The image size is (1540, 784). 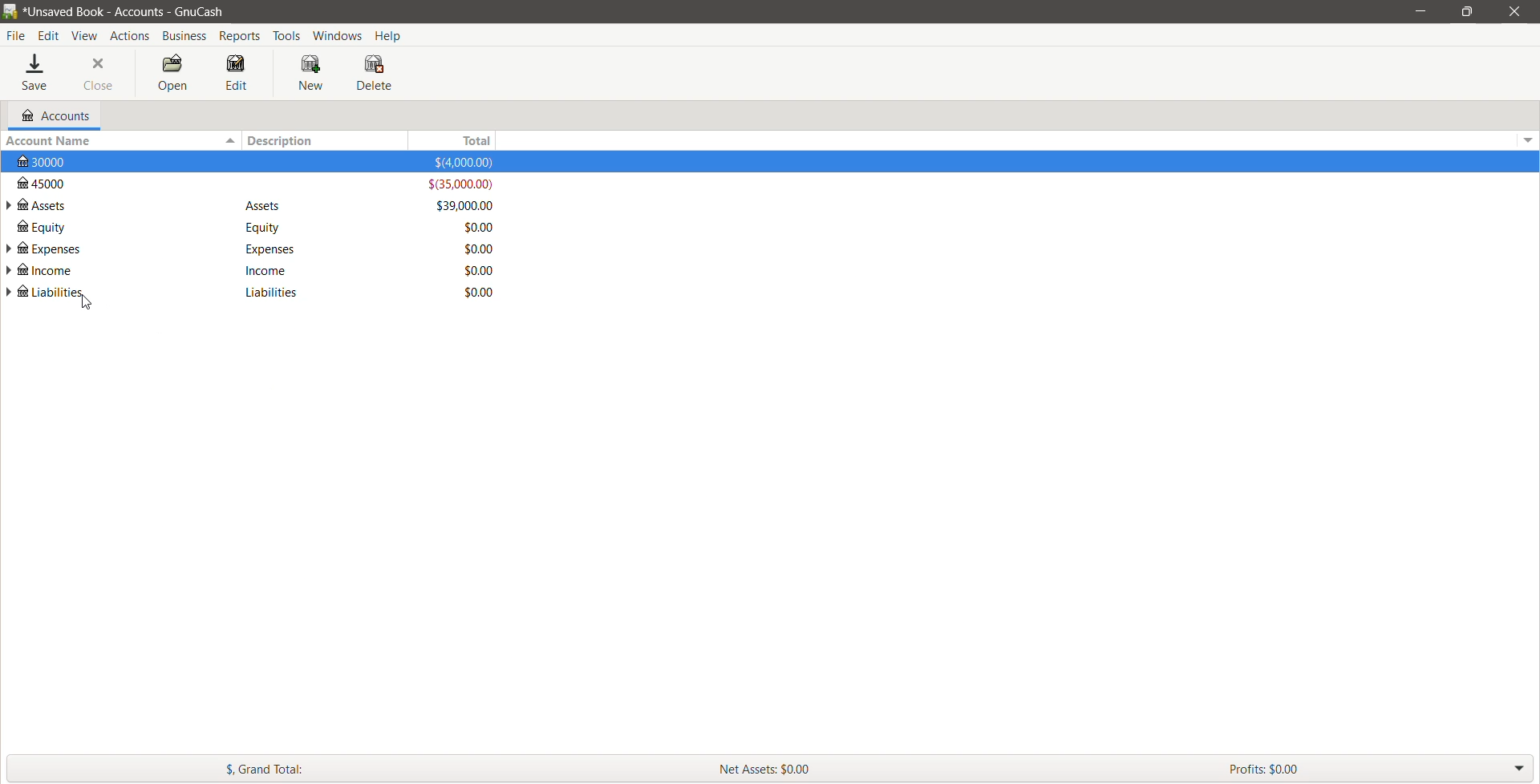 I want to click on Save, so click(x=37, y=74).